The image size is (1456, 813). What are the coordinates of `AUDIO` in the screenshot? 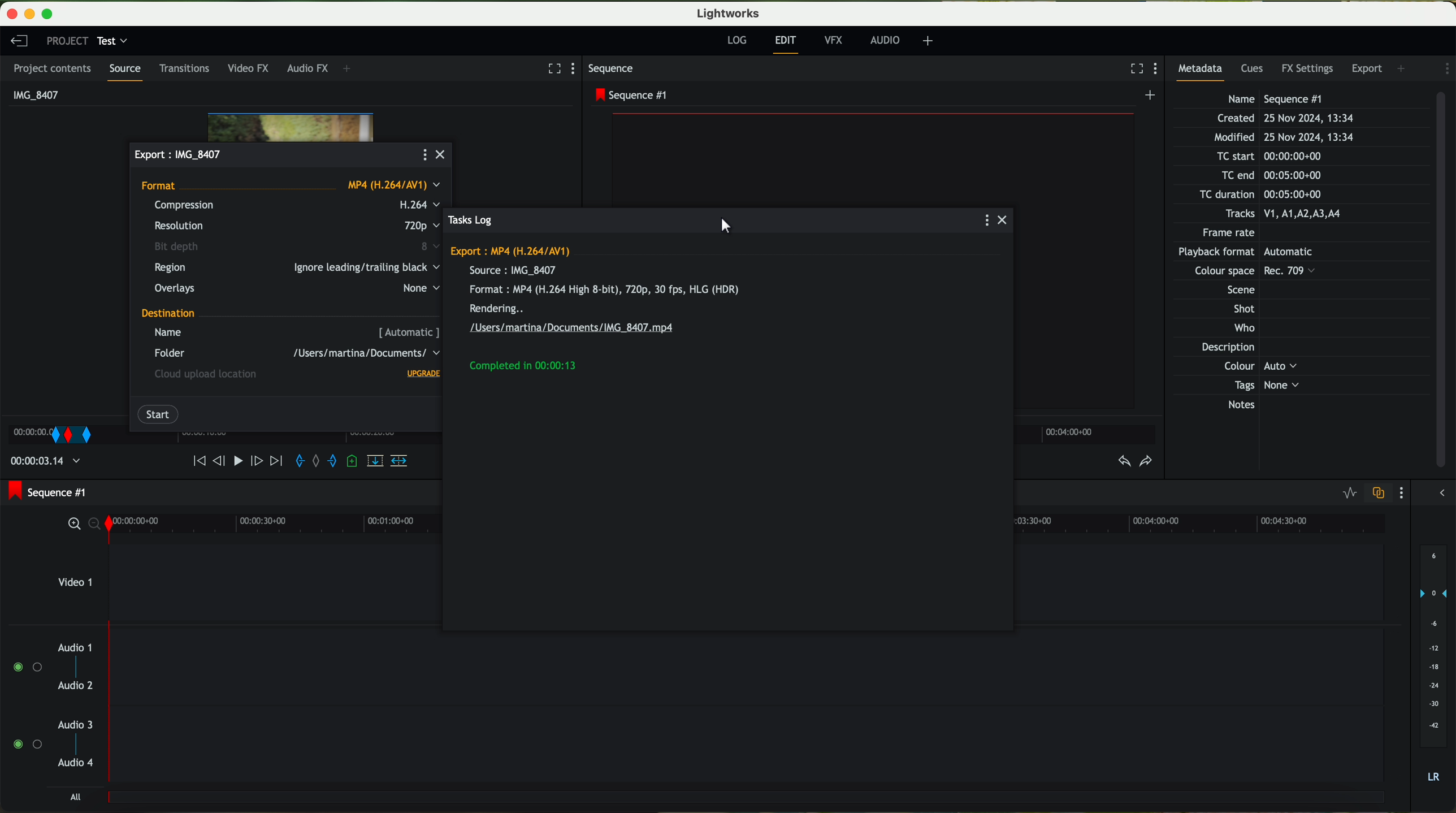 It's located at (883, 40).